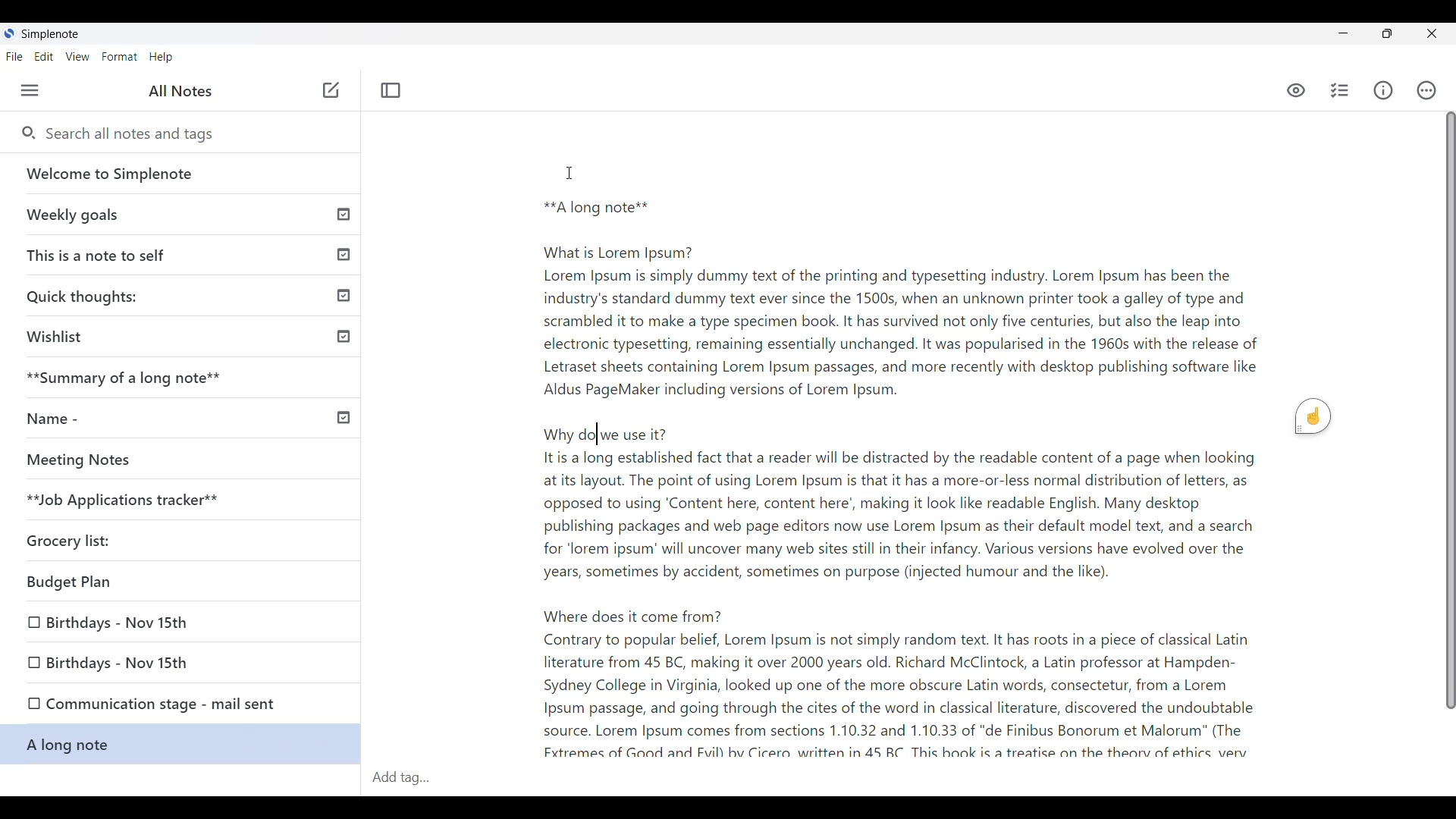  What do you see at coordinates (120, 57) in the screenshot?
I see `Format` at bounding box center [120, 57].